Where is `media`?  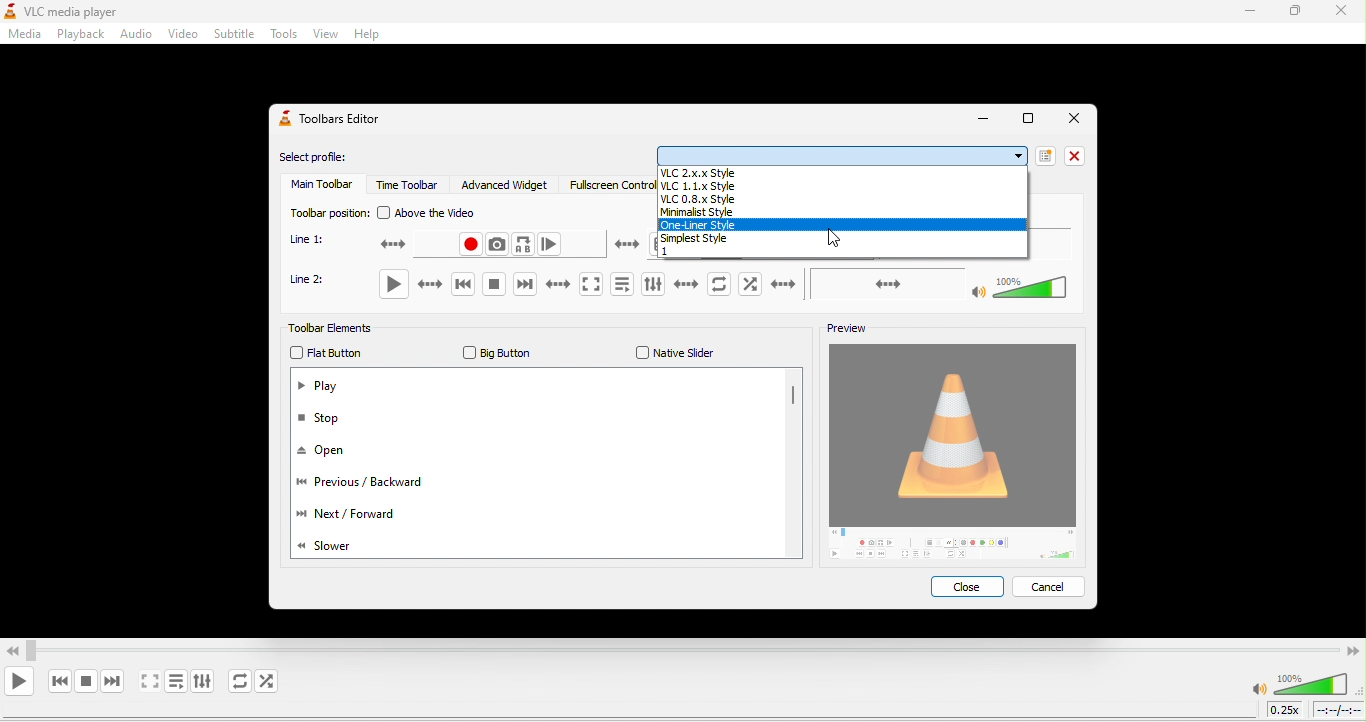
media is located at coordinates (23, 36).